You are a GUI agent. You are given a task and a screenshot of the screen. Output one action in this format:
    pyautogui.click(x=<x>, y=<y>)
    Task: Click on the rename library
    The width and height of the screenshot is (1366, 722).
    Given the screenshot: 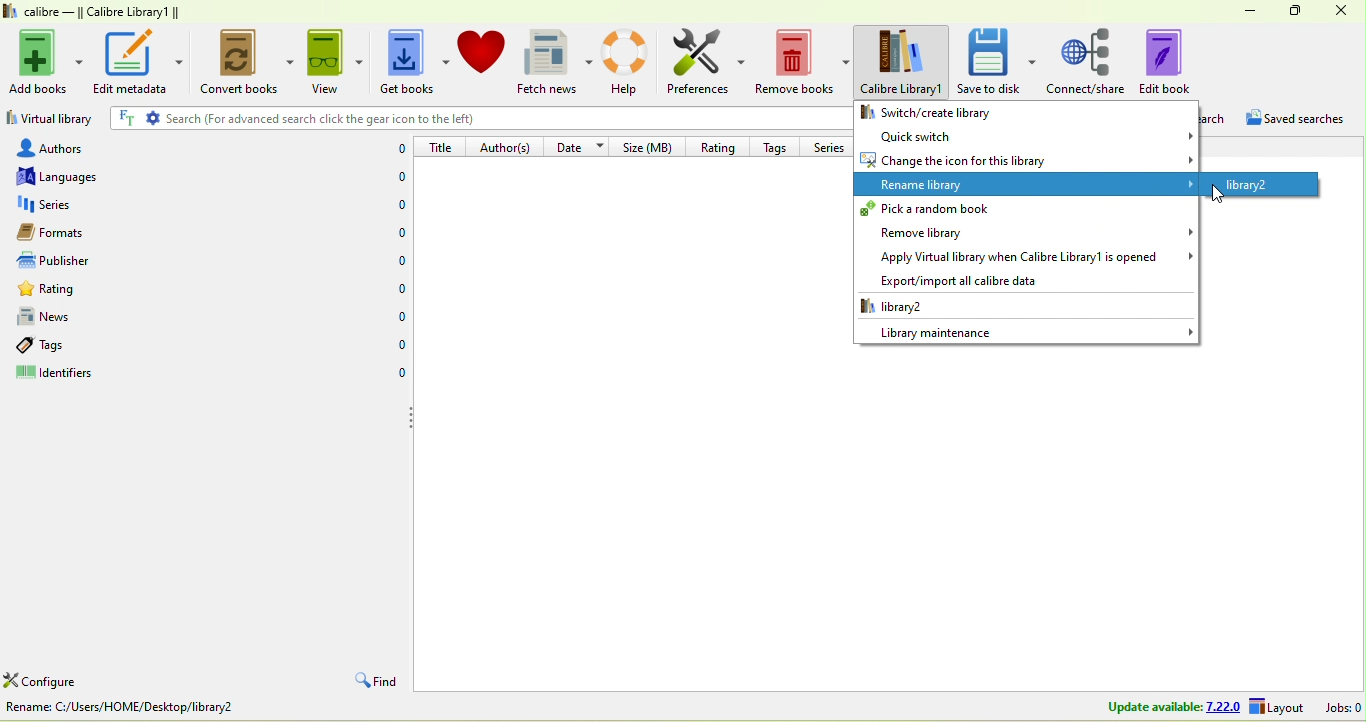 What is the action you would take?
    pyautogui.click(x=1028, y=184)
    